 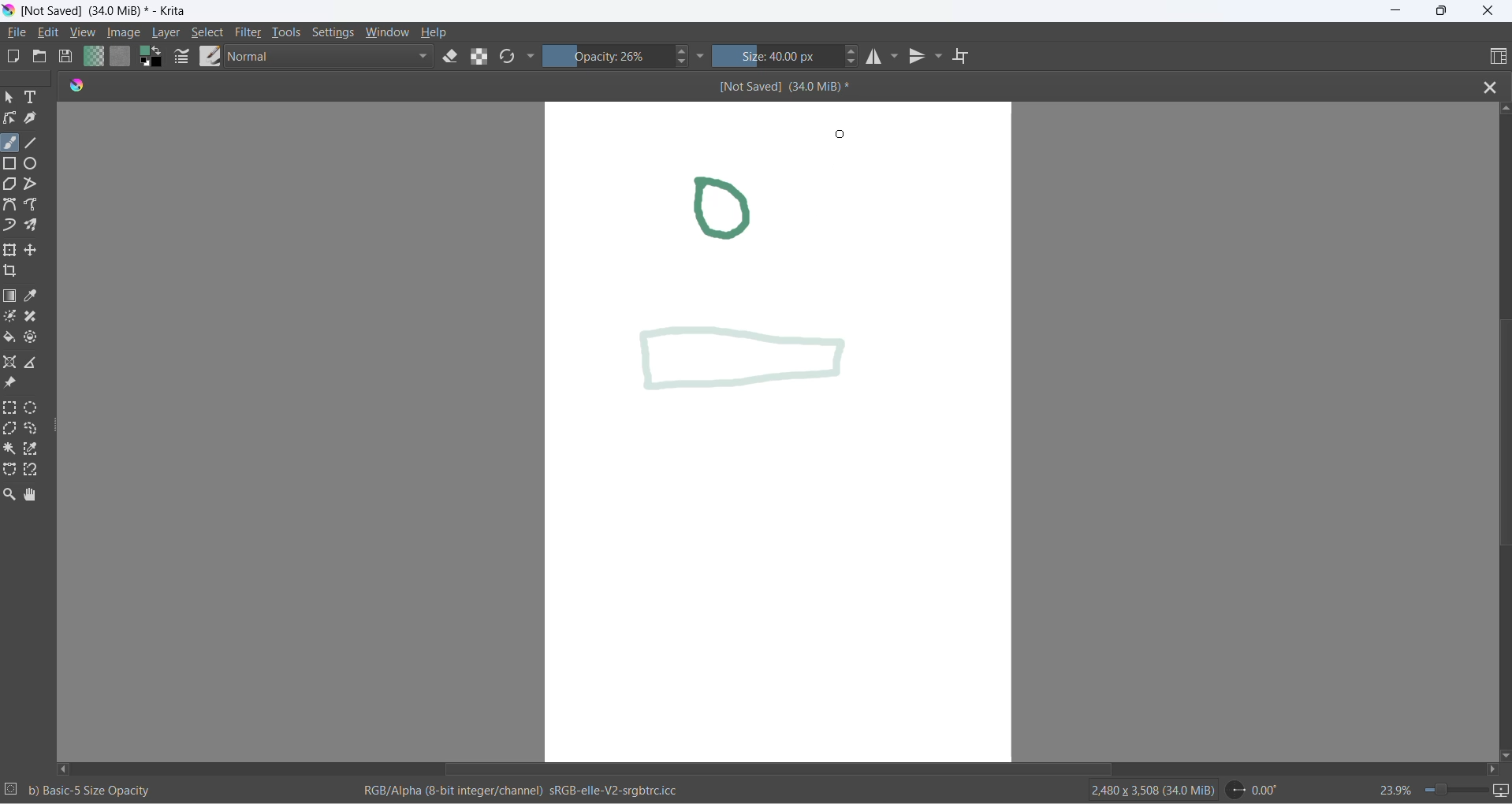 What do you see at coordinates (125, 33) in the screenshot?
I see `image` at bounding box center [125, 33].